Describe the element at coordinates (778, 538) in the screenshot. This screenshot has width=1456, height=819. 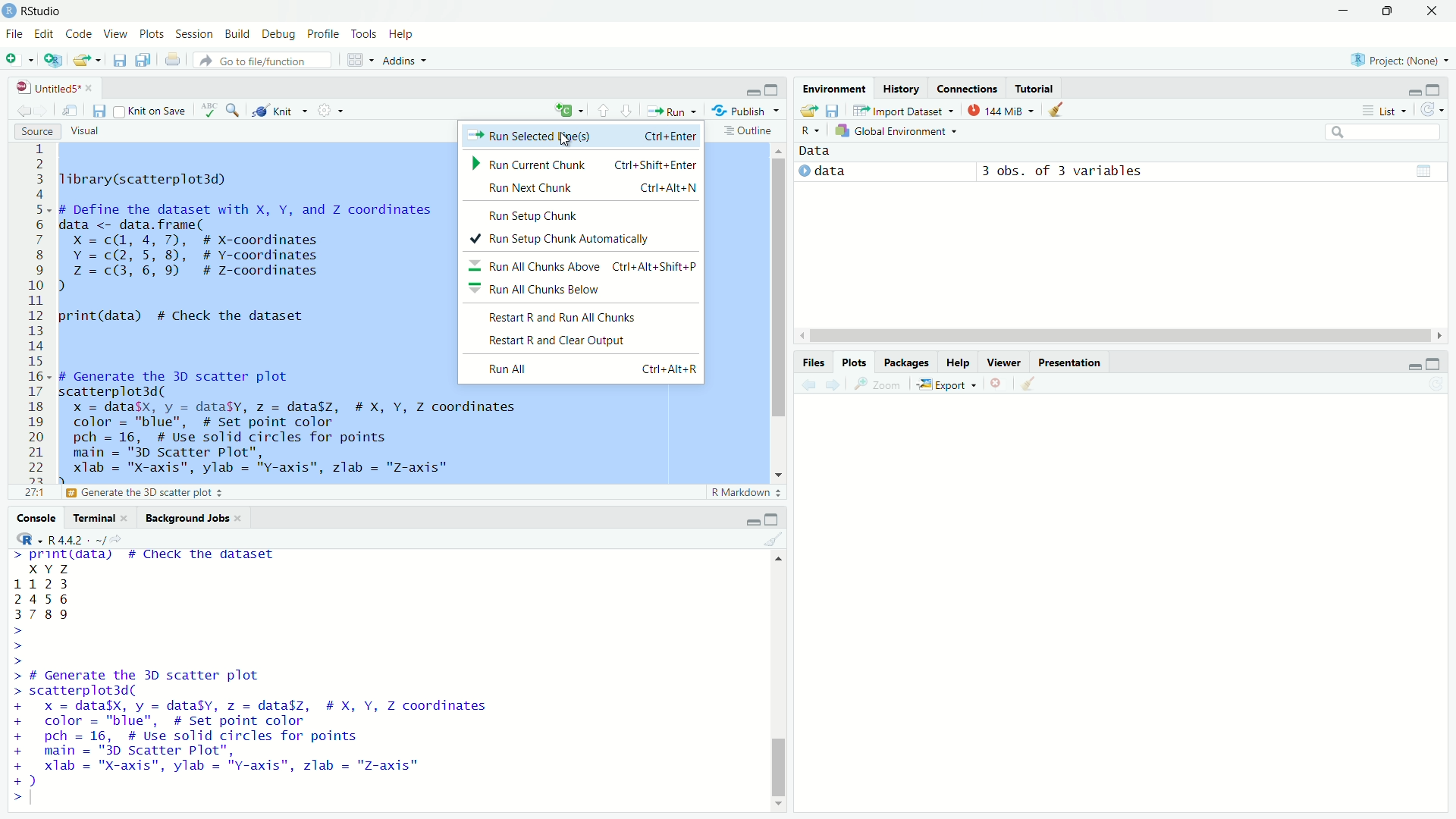
I see `clear console` at that location.